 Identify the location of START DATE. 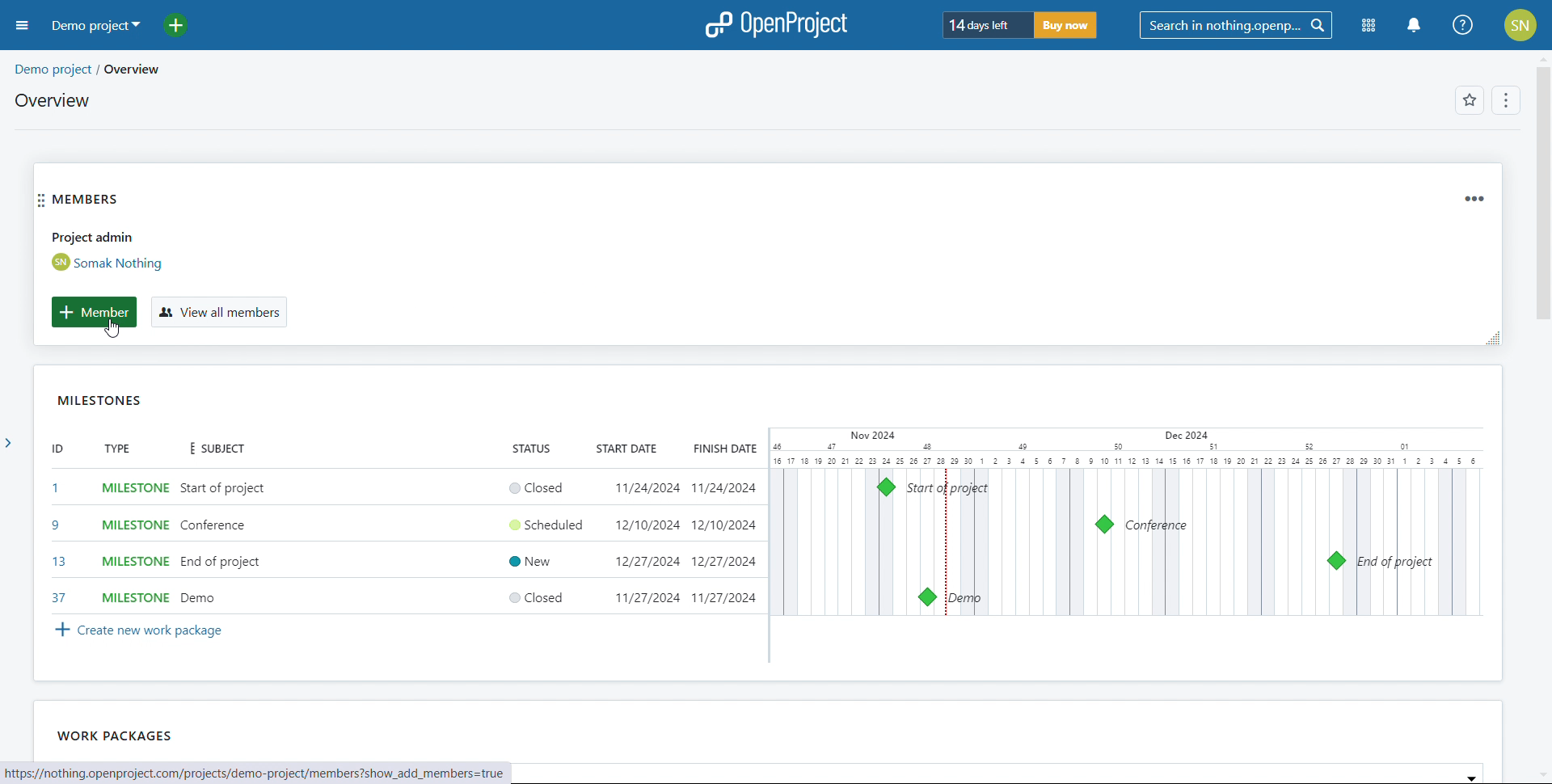
(629, 448).